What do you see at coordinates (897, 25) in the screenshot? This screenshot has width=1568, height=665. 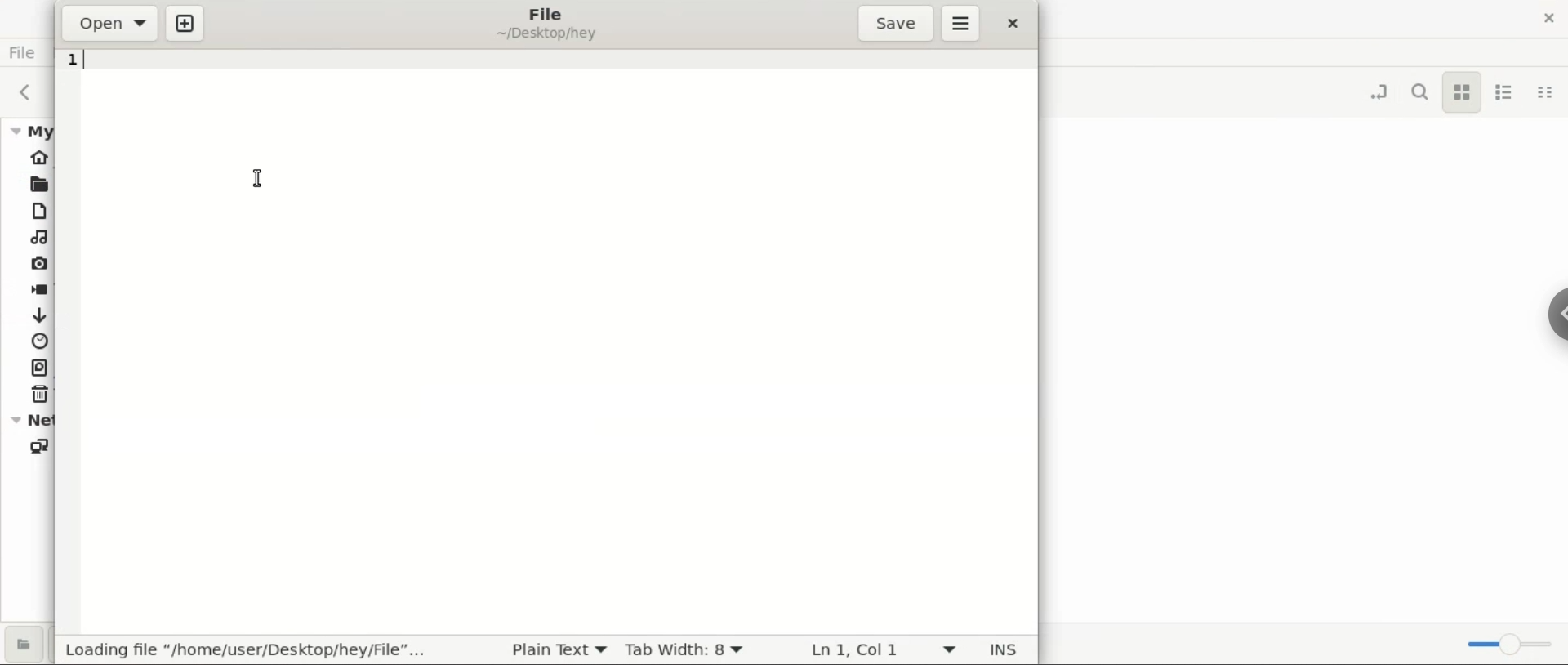 I see `save` at bounding box center [897, 25].